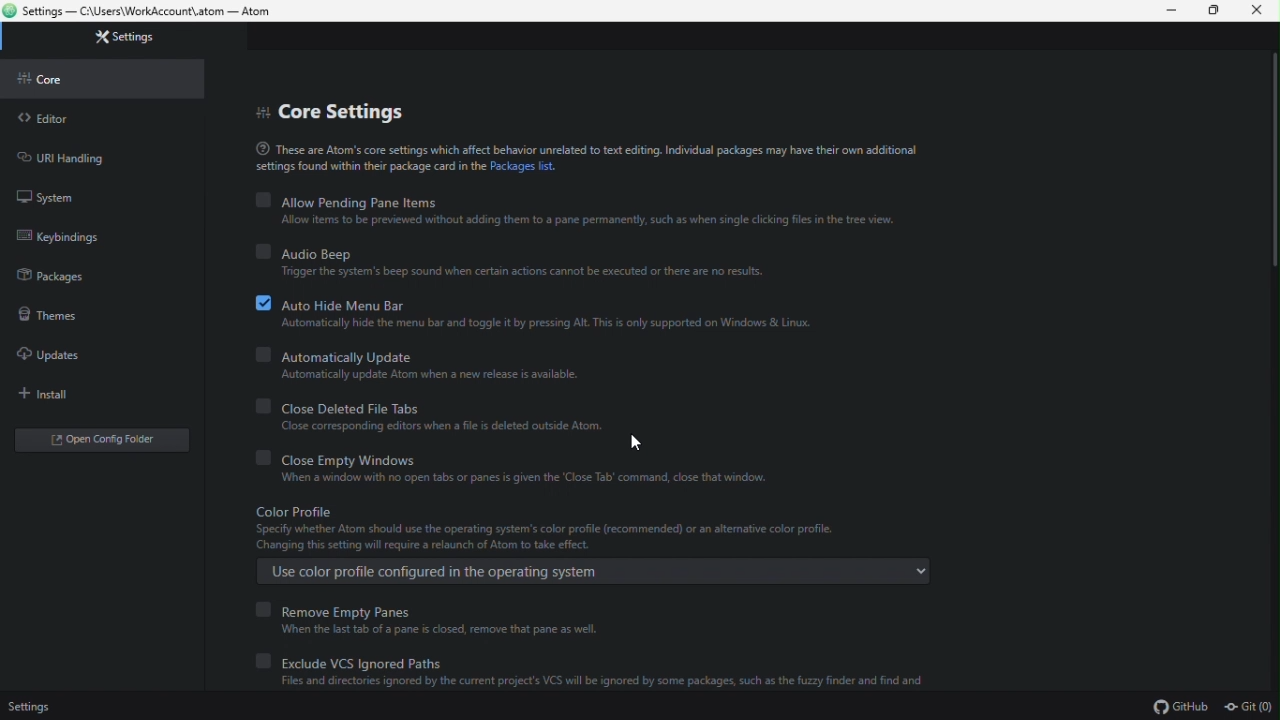 This screenshot has height=720, width=1280. What do you see at coordinates (435, 428) in the screenshot?
I see `Close corresponding editors when a file is deleted outside Atom.` at bounding box center [435, 428].